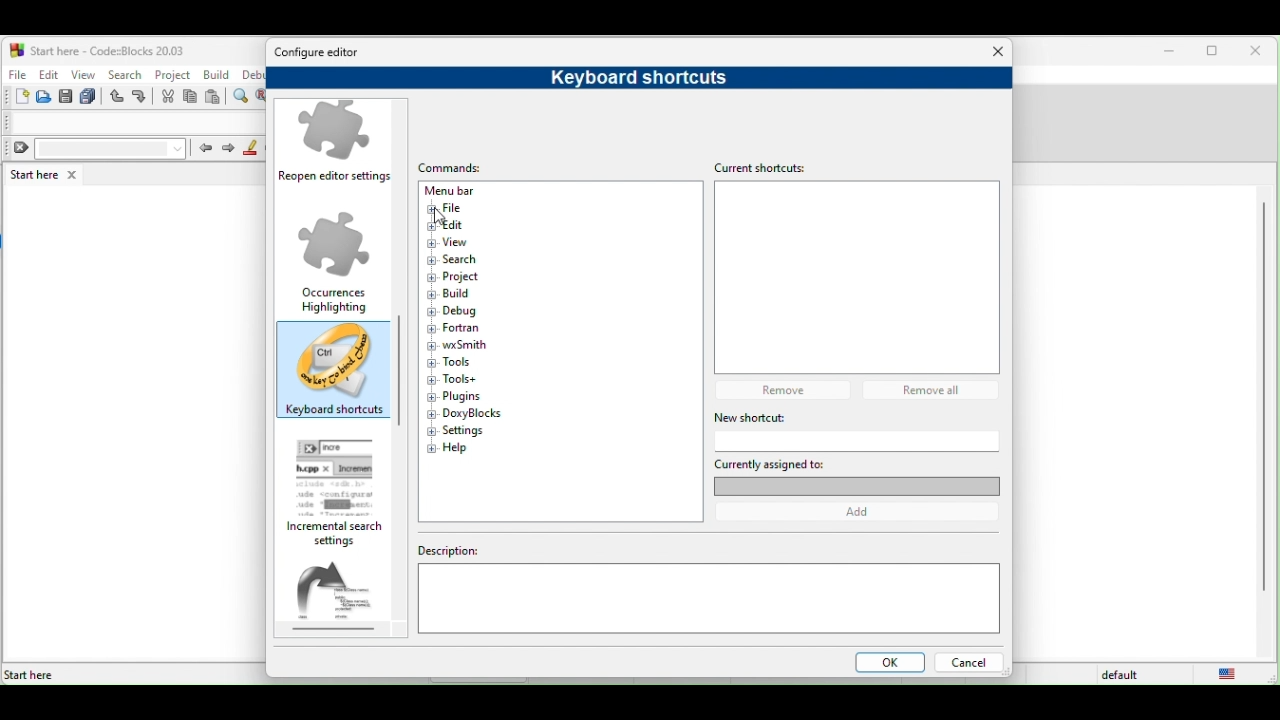 The image size is (1280, 720). Describe the element at coordinates (1170, 52) in the screenshot. I see `minimize` at that location.